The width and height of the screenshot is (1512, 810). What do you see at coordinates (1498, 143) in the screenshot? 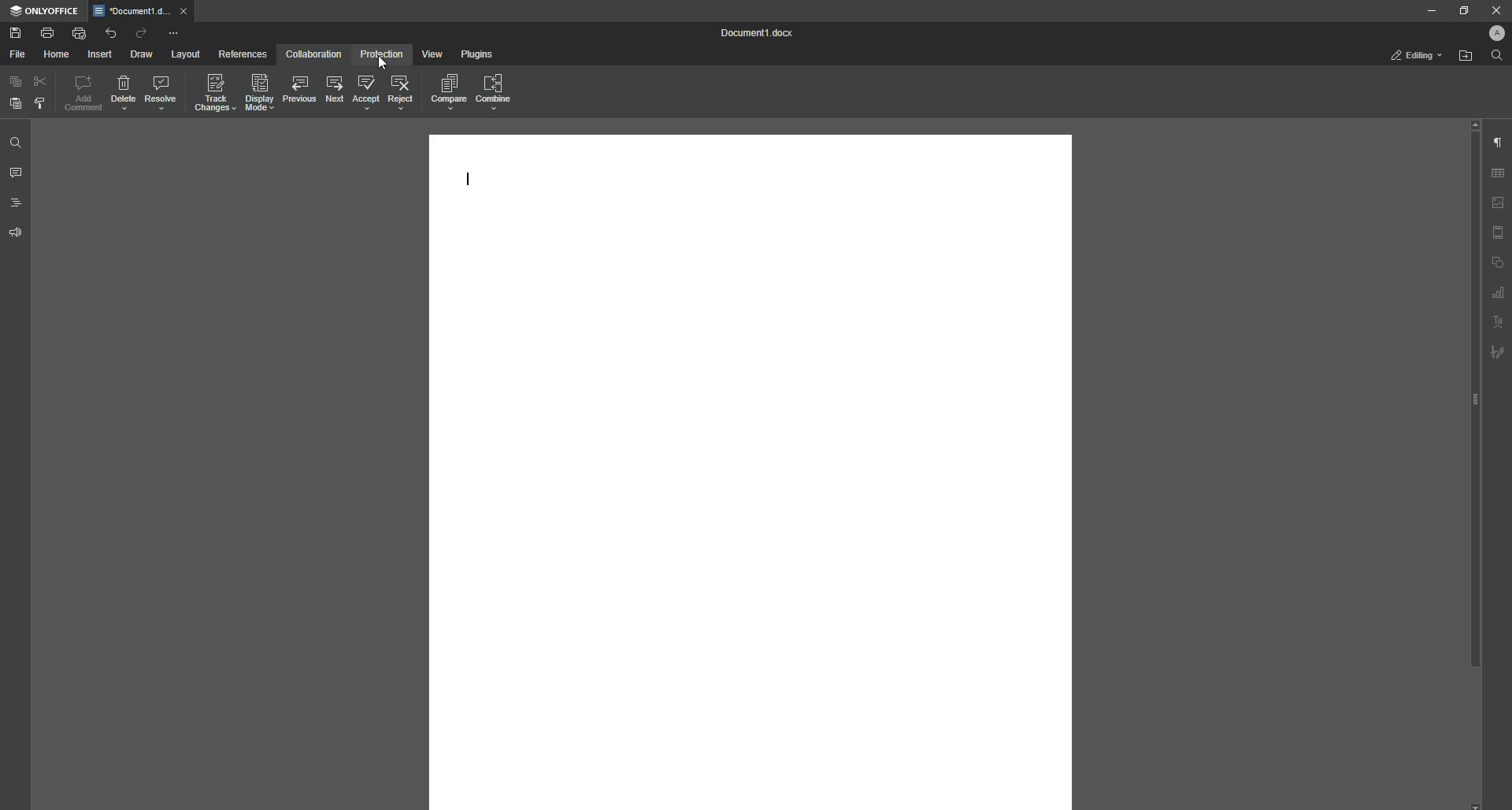
I see `Paragraph Settings` at bounding box center [1498, 143].